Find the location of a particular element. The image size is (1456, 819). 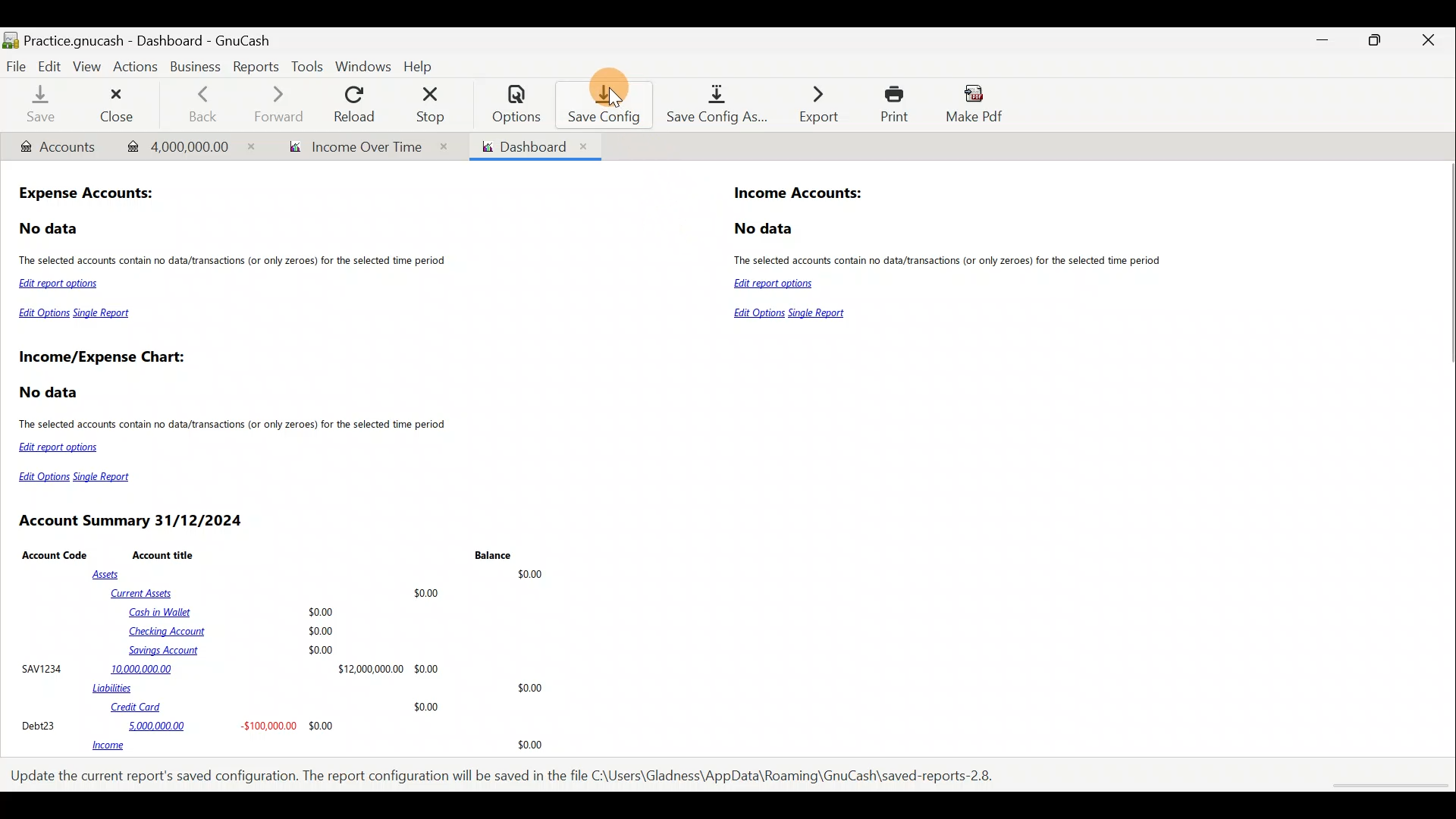

Report is located at coordinates (362, 147).